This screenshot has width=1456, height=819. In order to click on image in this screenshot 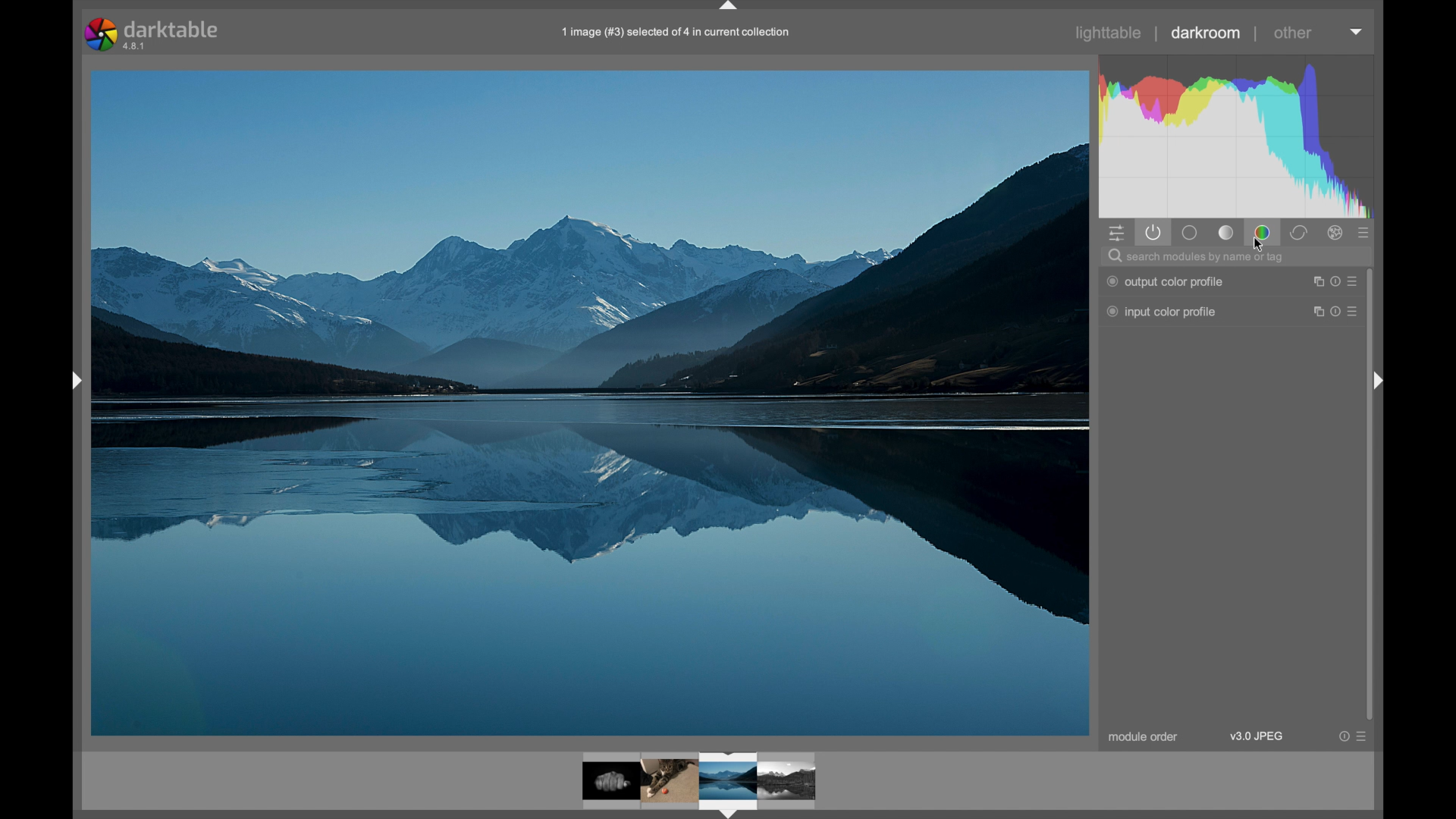, I will do `click(733, 785)`.